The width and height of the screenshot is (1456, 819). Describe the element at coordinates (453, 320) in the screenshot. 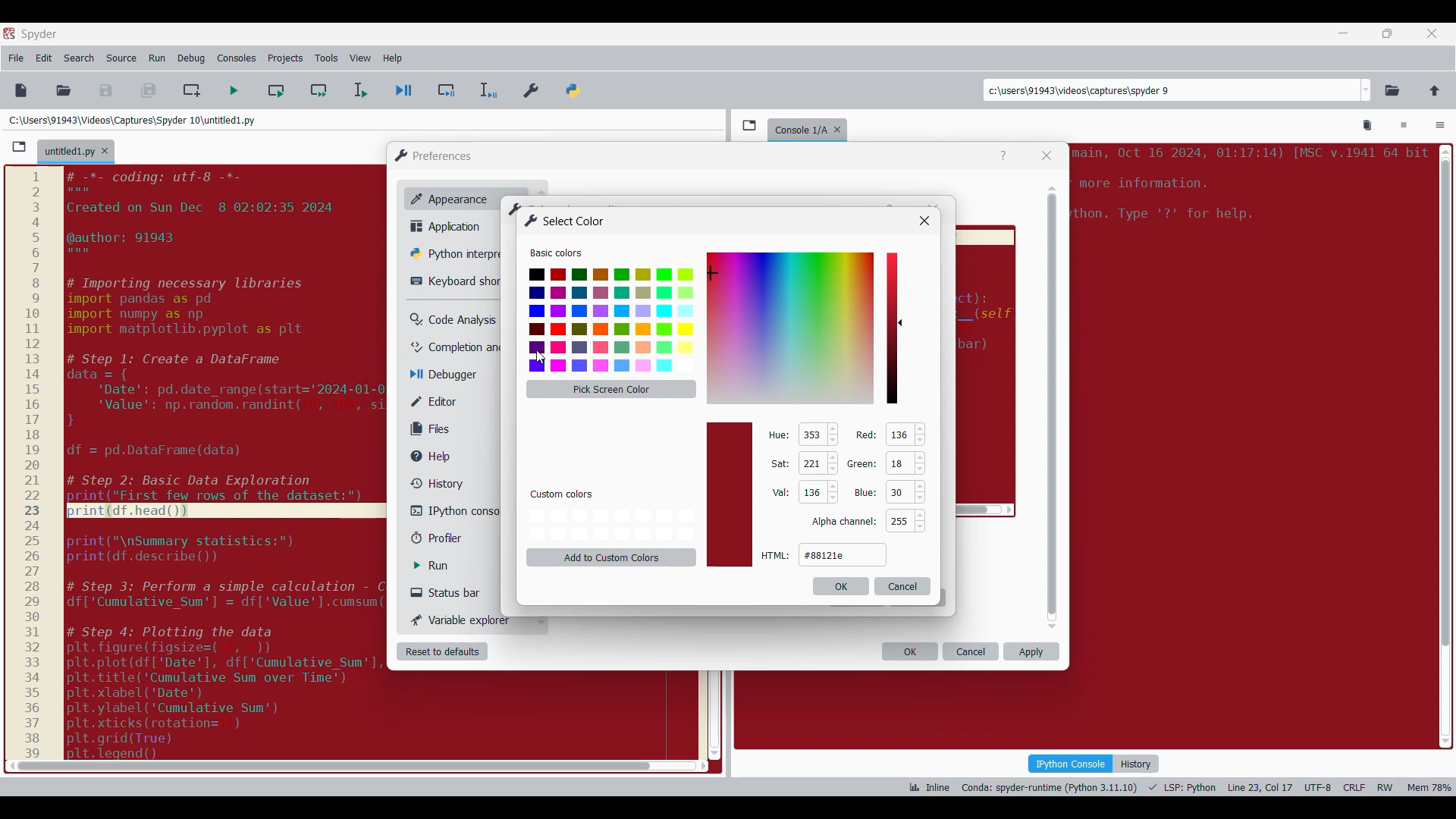

I see `Code analysis` at that location.